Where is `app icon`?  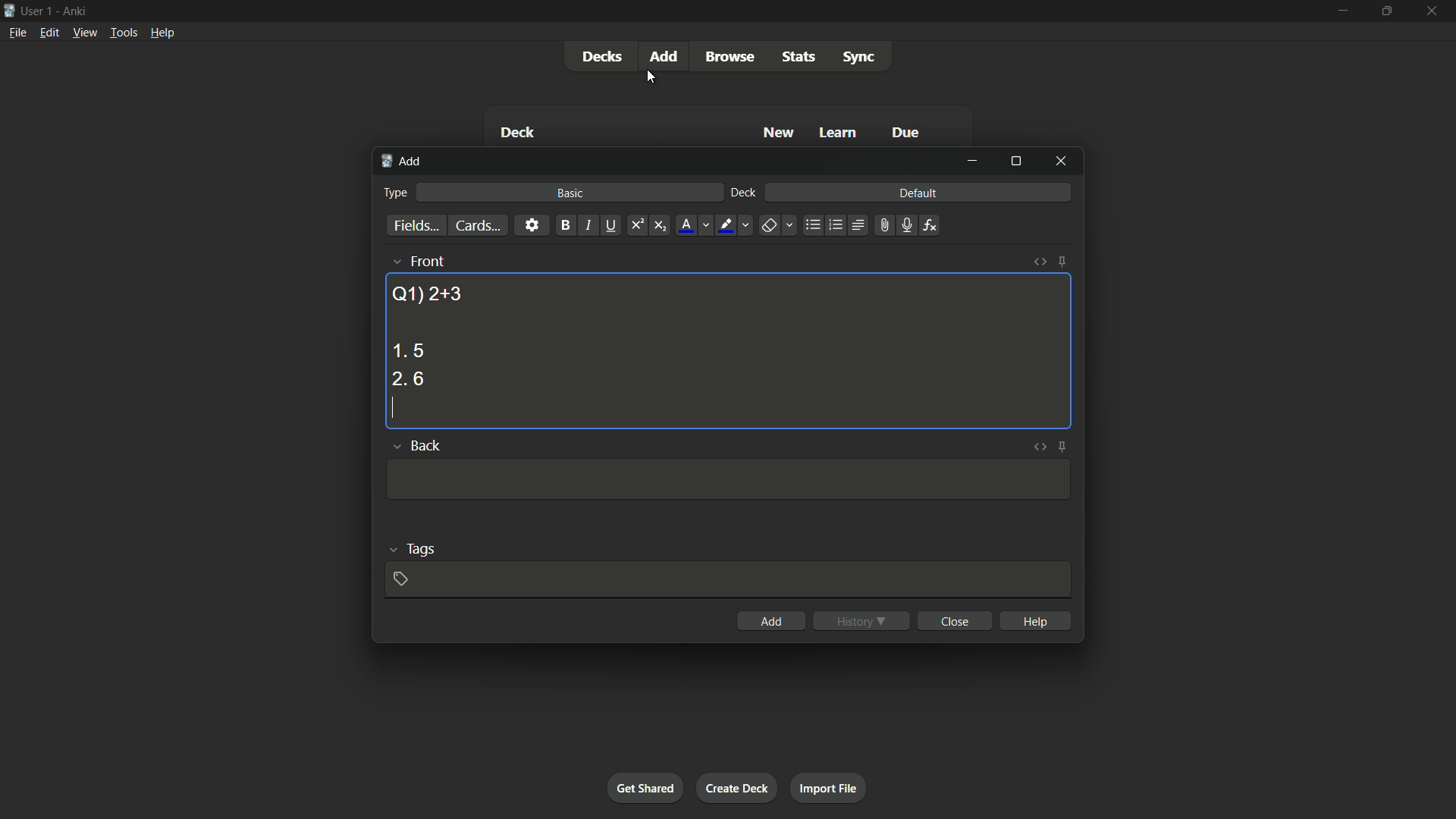 app icon is located at coordinates (9, 9).